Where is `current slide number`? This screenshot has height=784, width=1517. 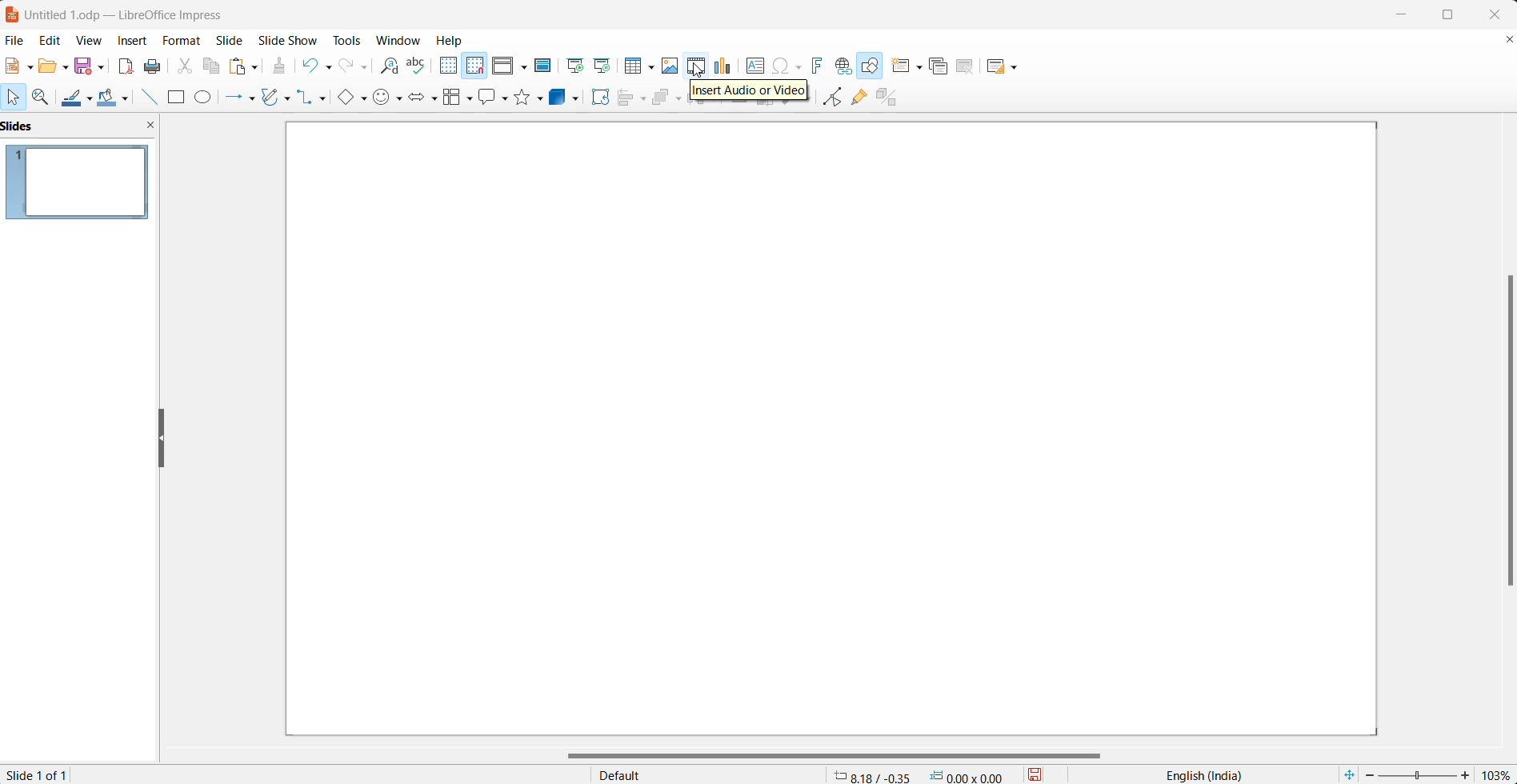 current slide number is located at coordinates (43, 773).